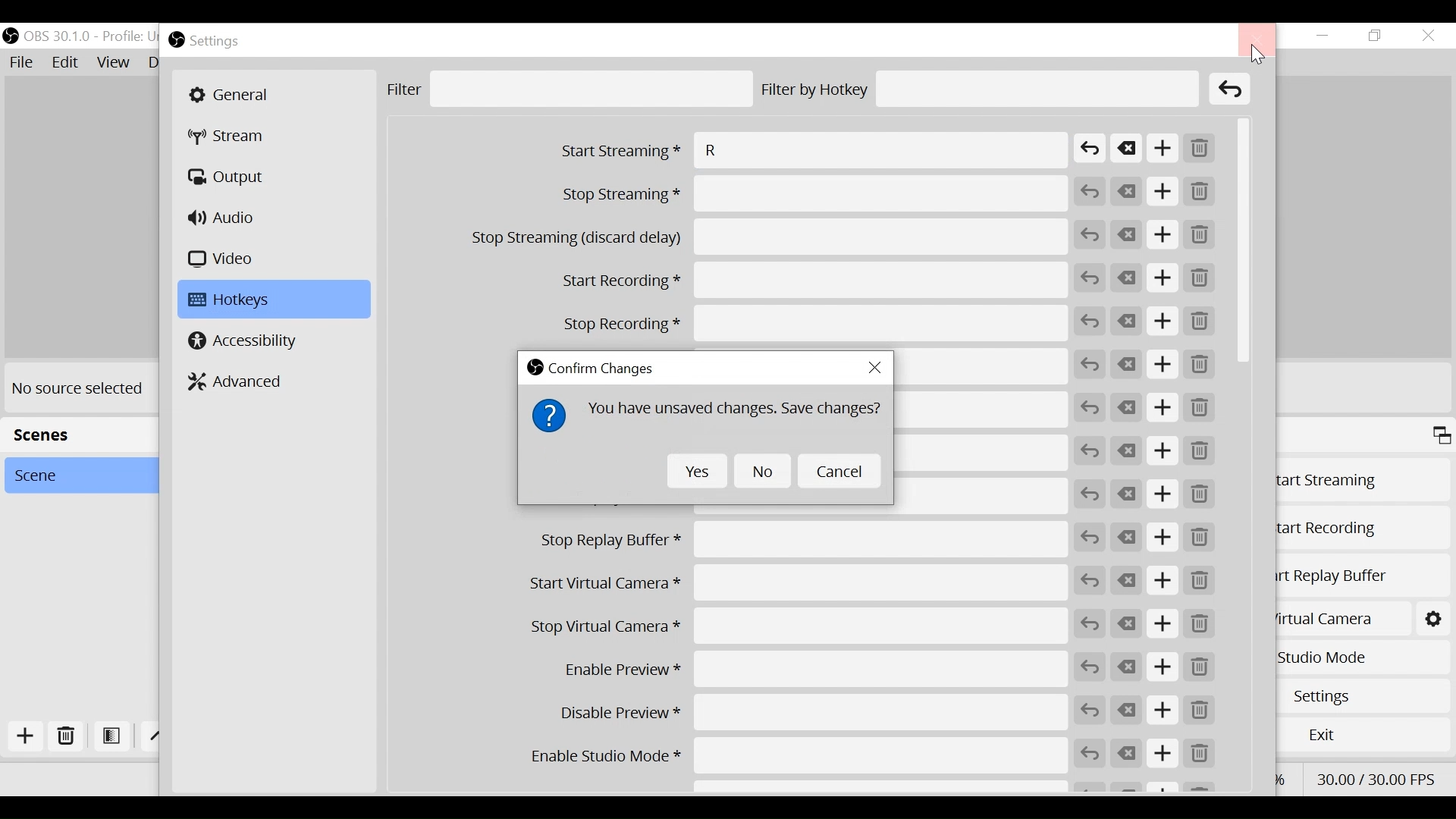 The width and height of the screenshot is (1456, 819). What do you see at coordinates (1127, 536) in the screenshot?
I see `Clear` at bounding box center [1127, 536].